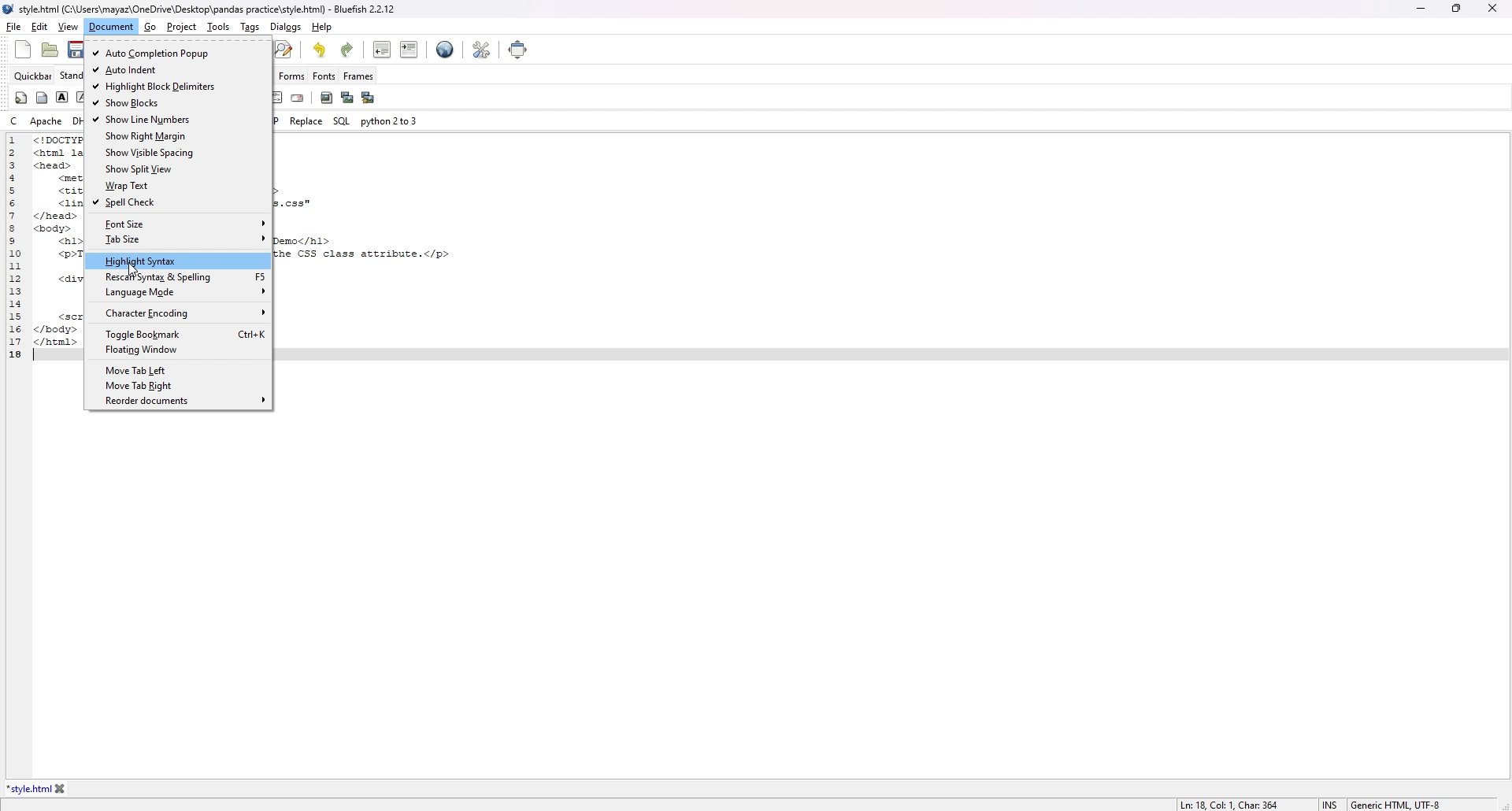 This screenshot has width=1512, height=811. Describe the element at coordinates (61, 98) in the screenshot. I see `bold` at that location.